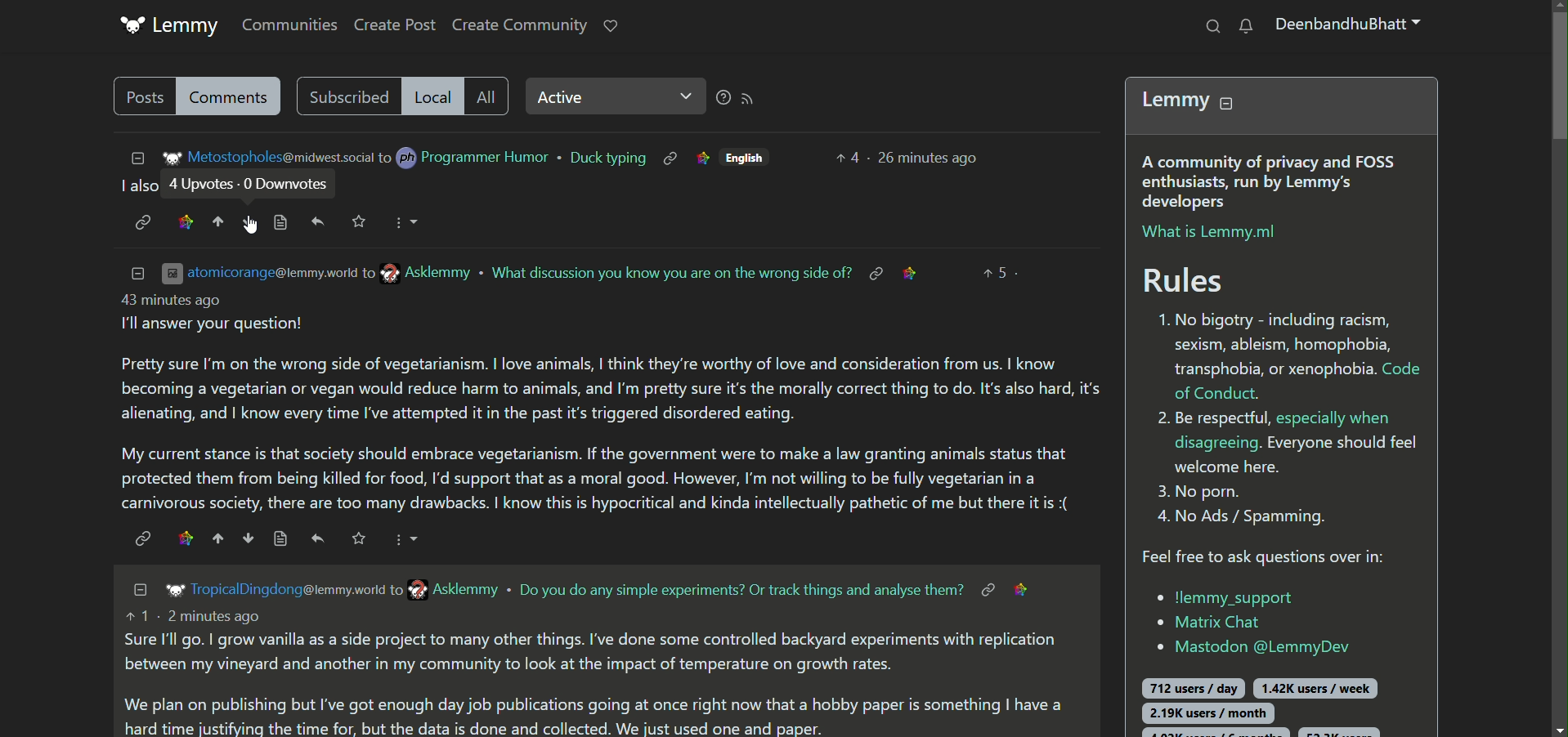 The height and width of the screenshot is (737, 1568). I want to click on like, so click(611, 25).